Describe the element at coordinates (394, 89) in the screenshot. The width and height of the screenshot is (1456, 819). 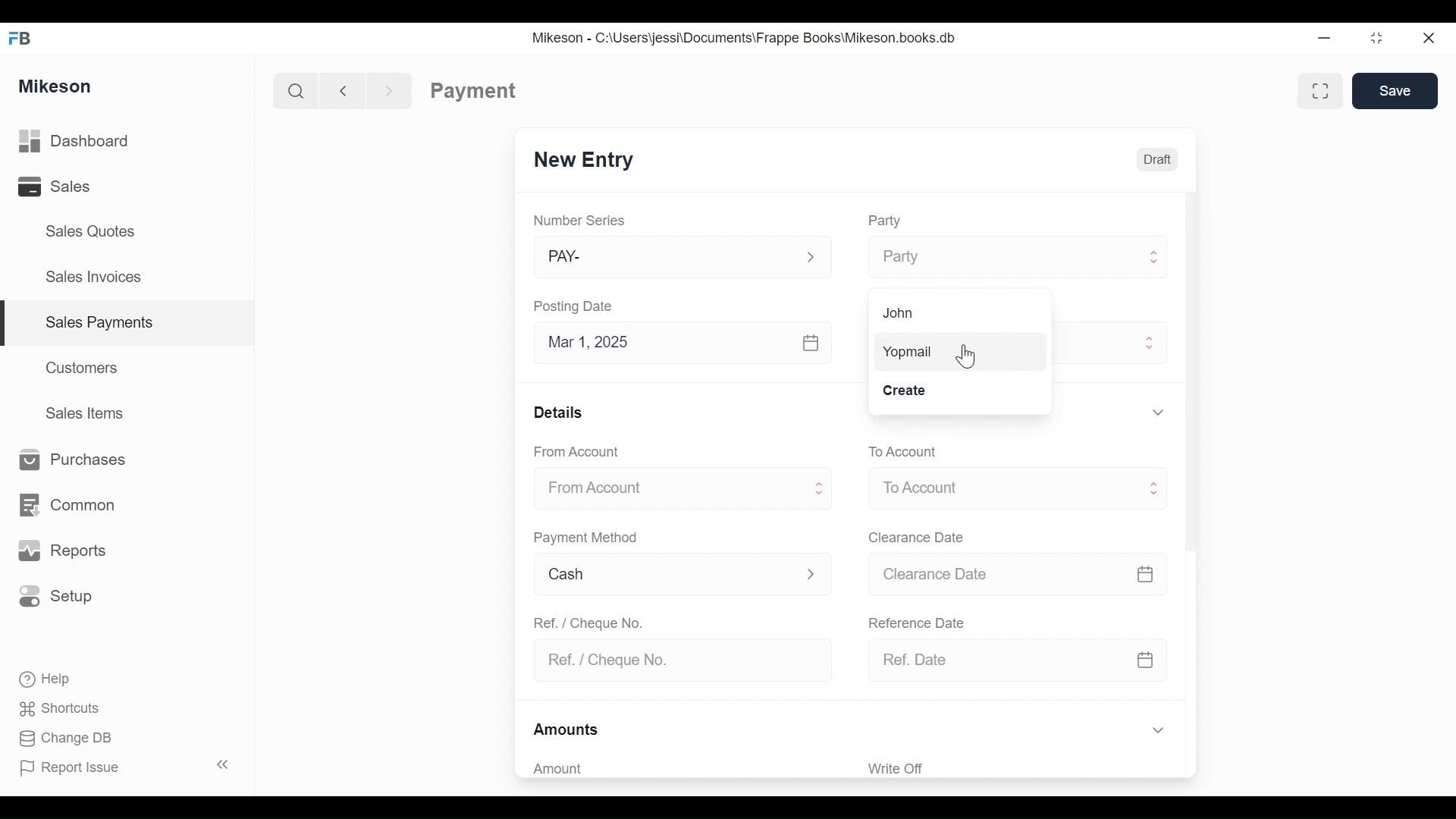
I see `Forward` at that location.